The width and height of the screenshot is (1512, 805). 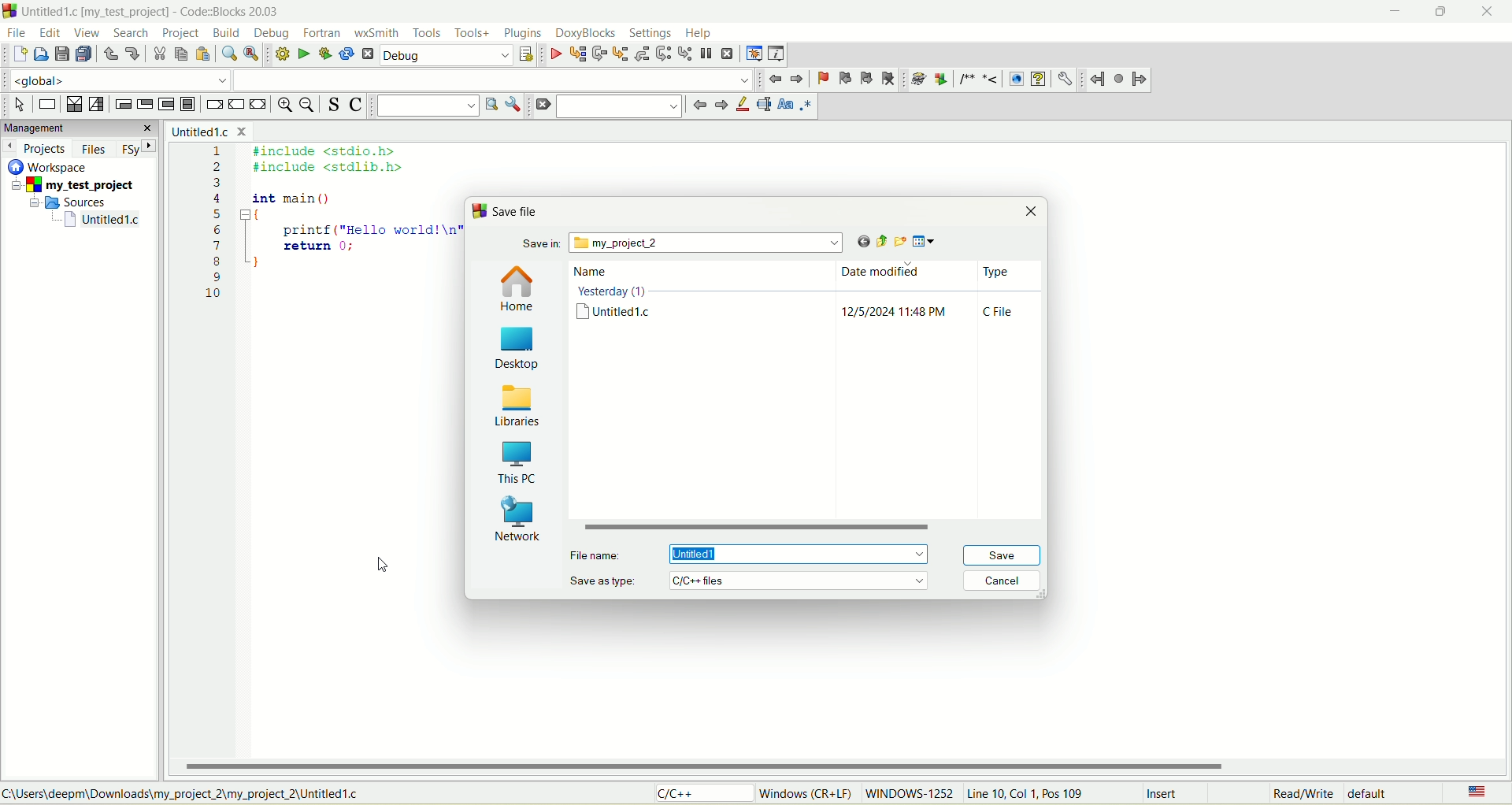 I want to click on title, so click(x=208, y=131).